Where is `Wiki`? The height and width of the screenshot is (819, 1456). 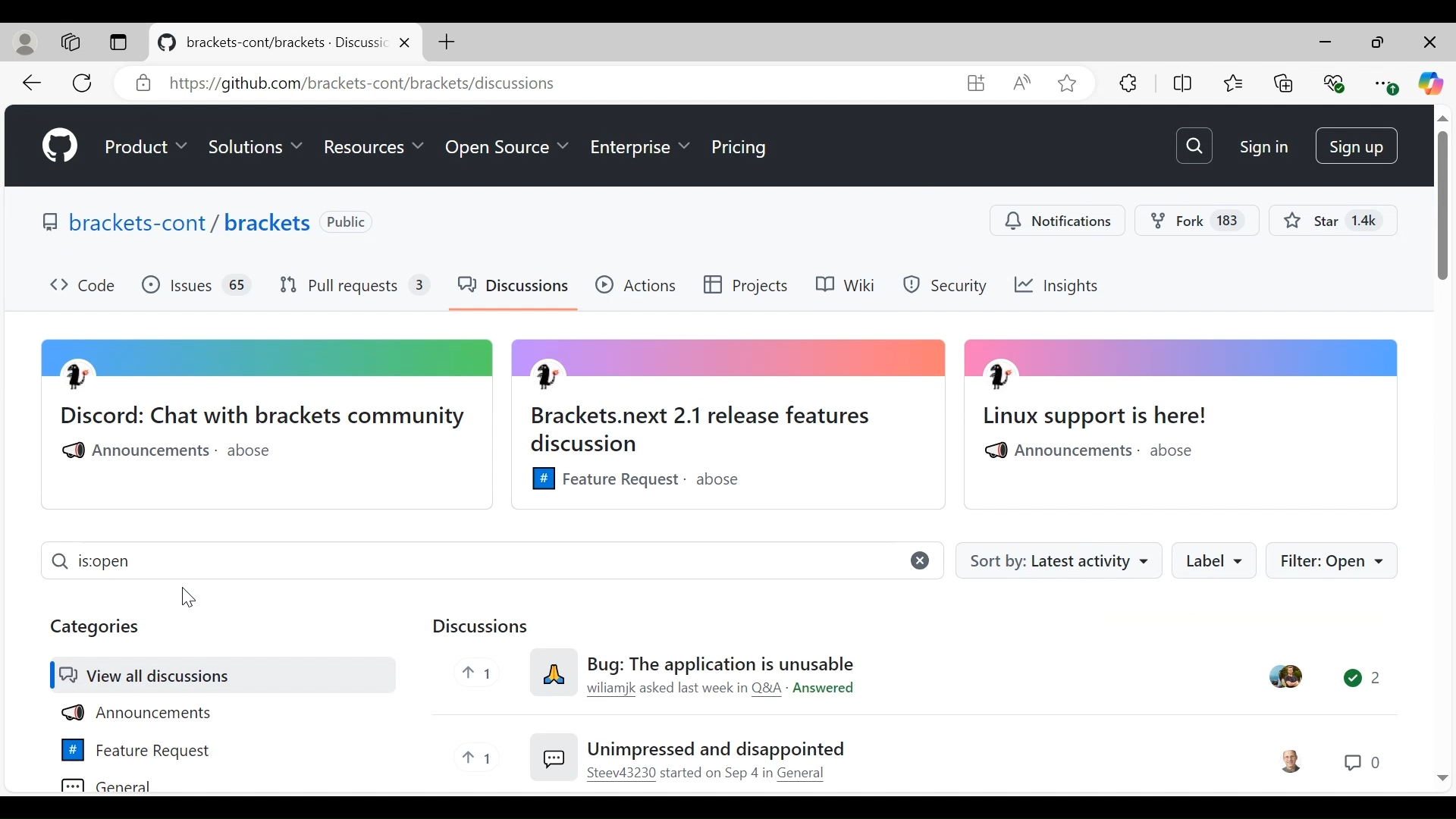 Wiki is located at coordinates (849, 285).